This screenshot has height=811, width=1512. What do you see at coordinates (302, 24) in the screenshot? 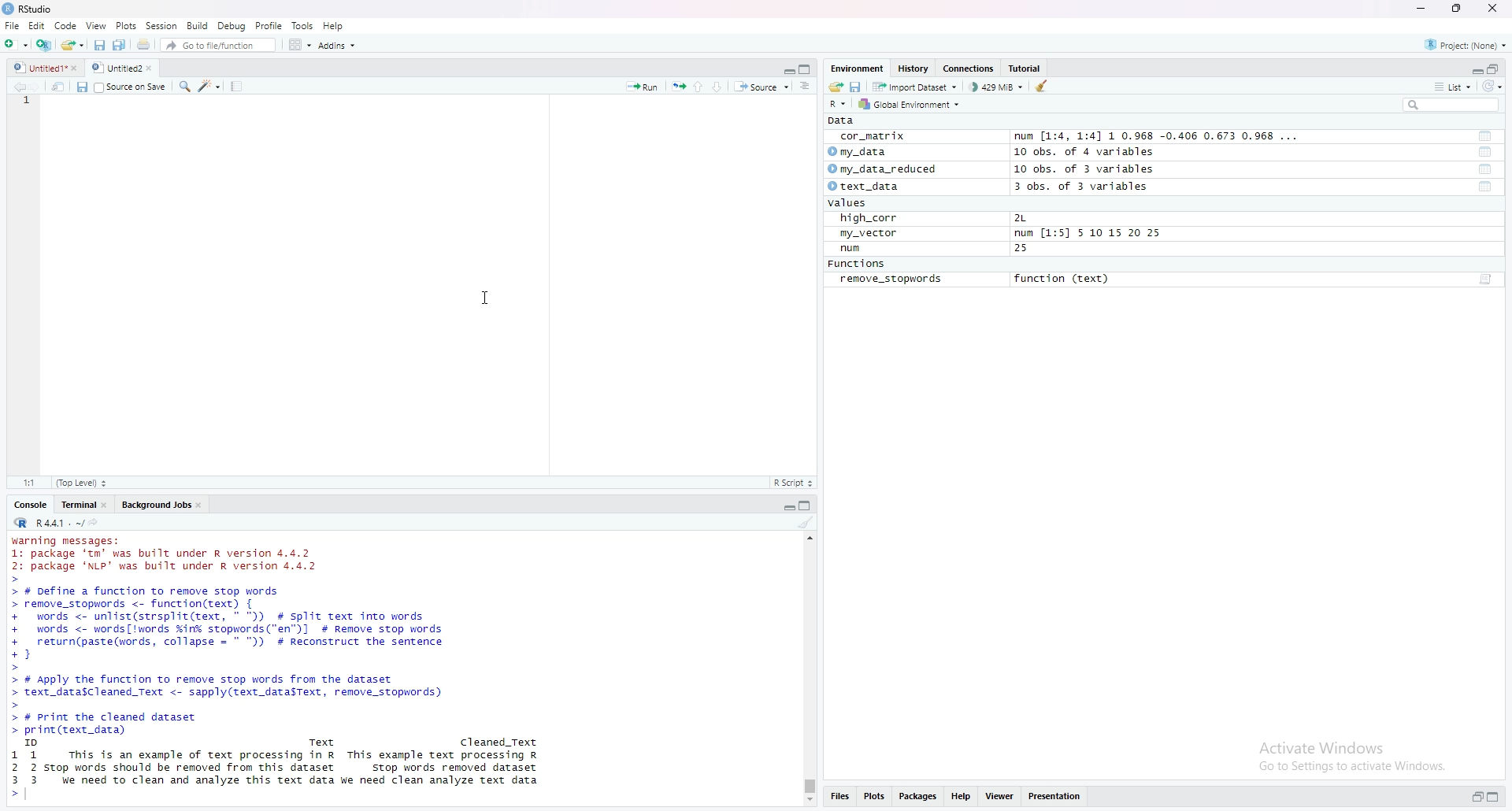
I see `Tools` at bounding box center [302, 24].